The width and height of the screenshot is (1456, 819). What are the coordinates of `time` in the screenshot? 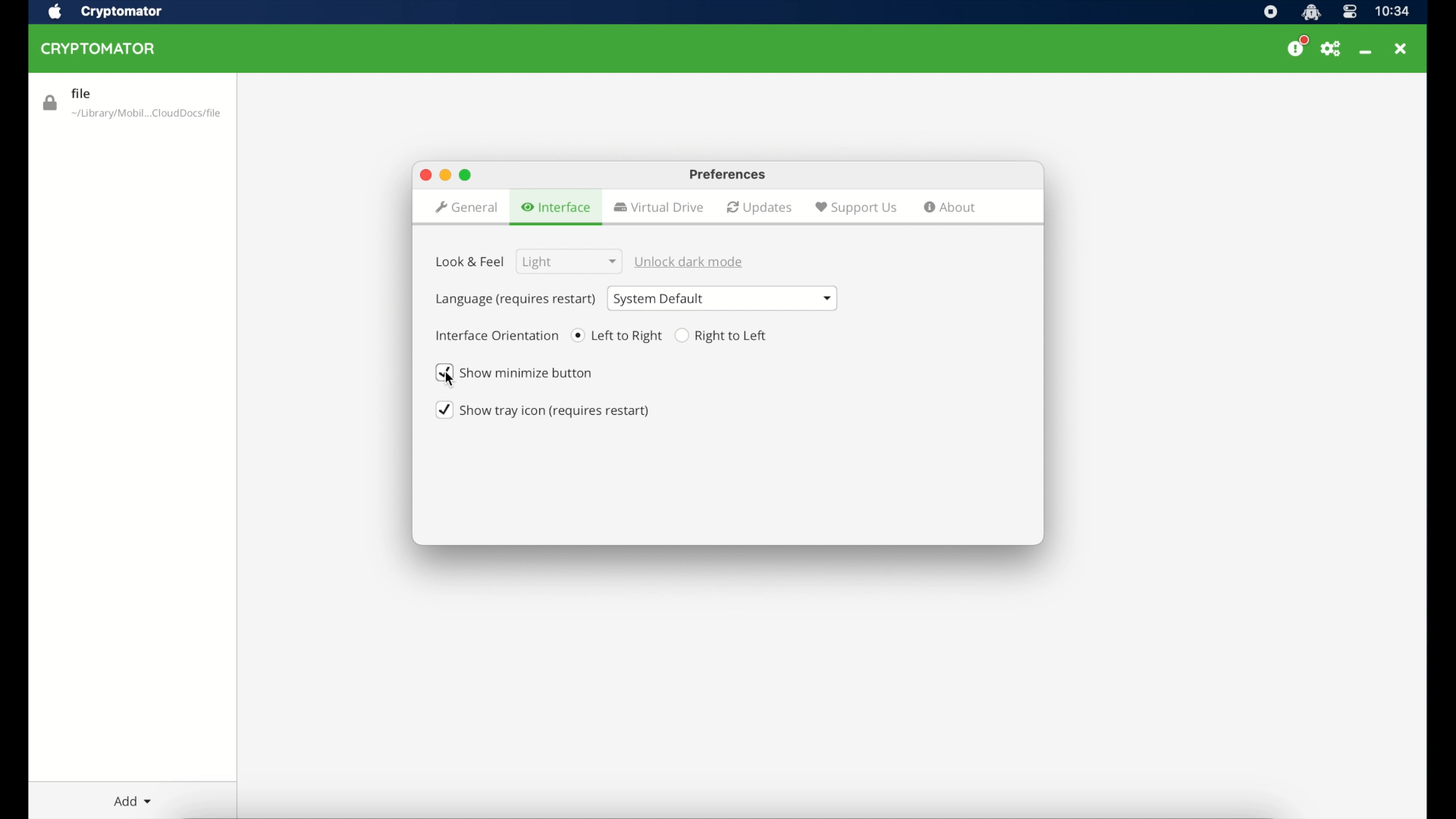 It's located at (1391, 11).